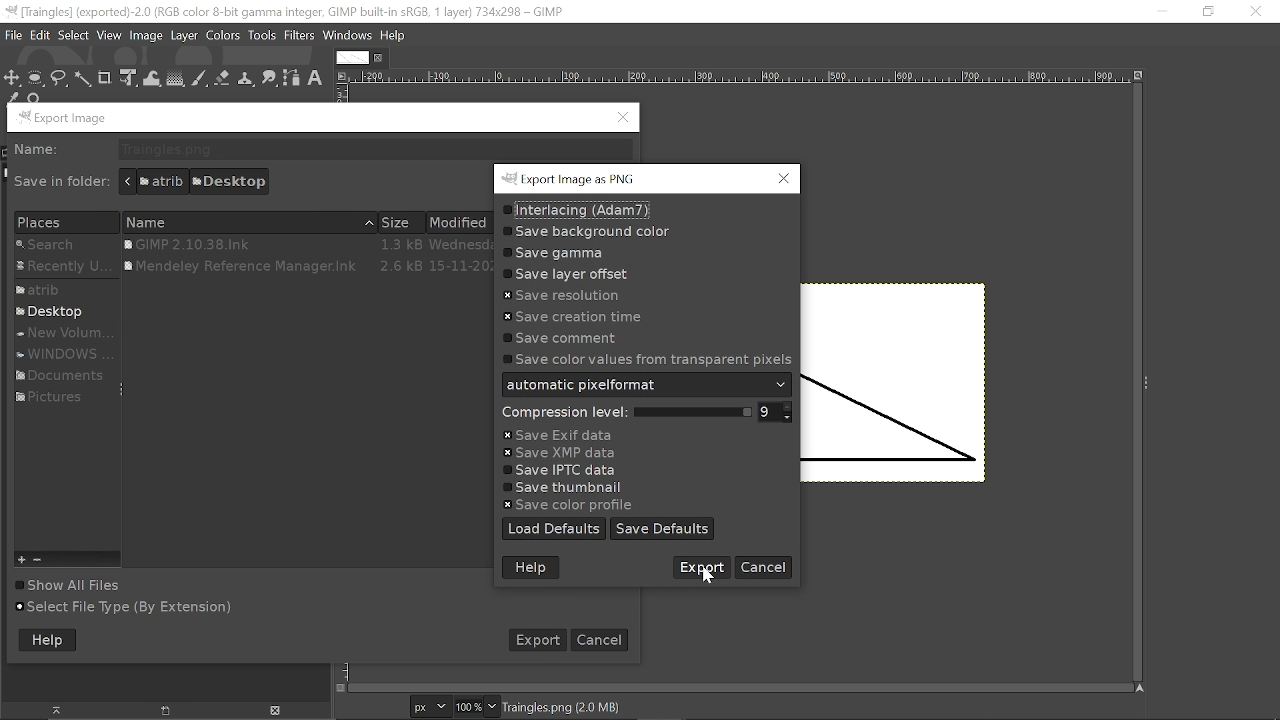 The width and height of the screenshot is (1280, 720). Describe the element at coordinates (342, 688) in the screenshot. I see `Toggle quick mask on/off` at that location.